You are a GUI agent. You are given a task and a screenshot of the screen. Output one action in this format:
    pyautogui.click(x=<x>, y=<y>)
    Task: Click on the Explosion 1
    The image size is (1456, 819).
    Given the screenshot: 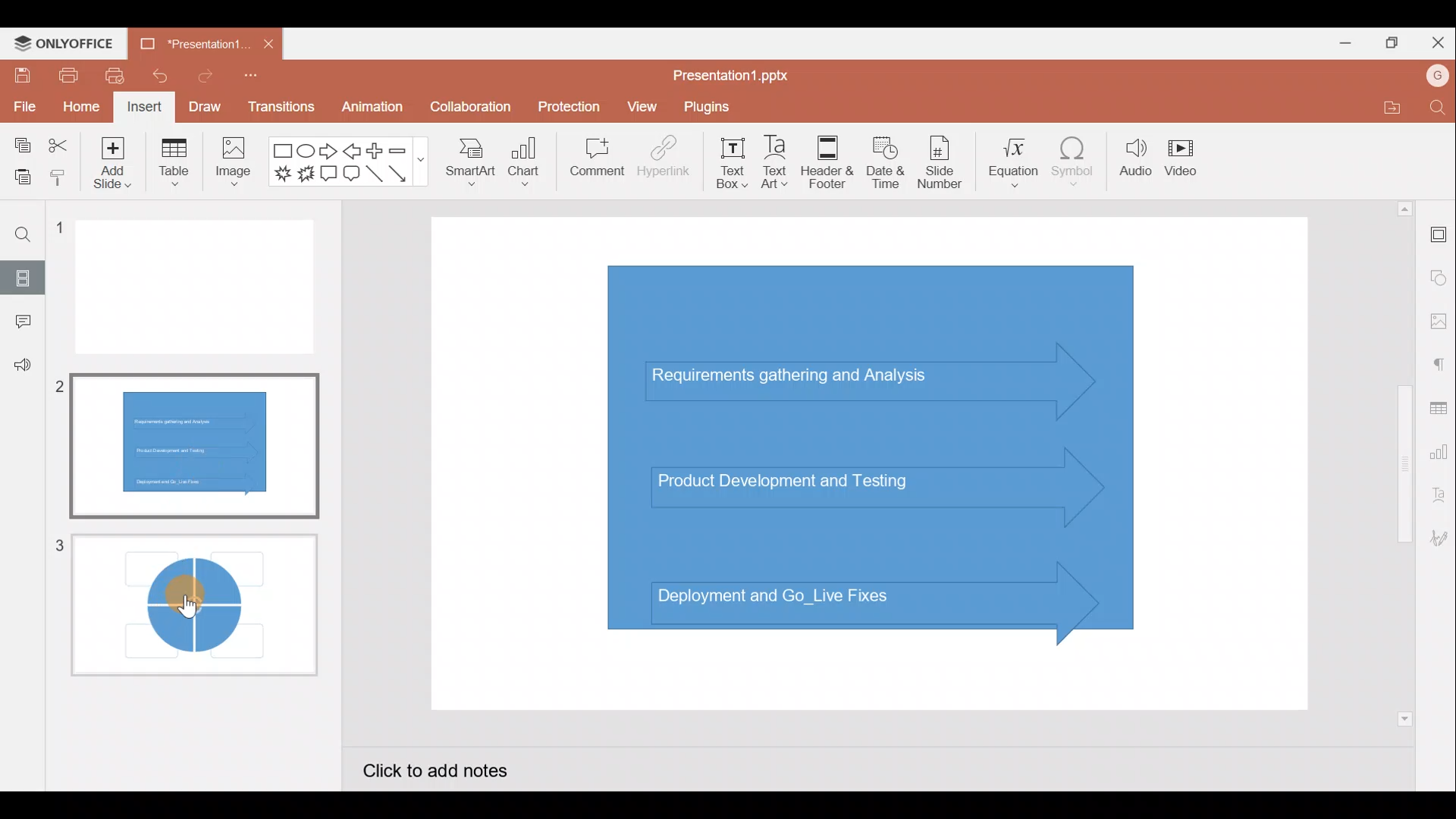 What is the action you would take?
    pyautogui.click(x=281, y=172)
    